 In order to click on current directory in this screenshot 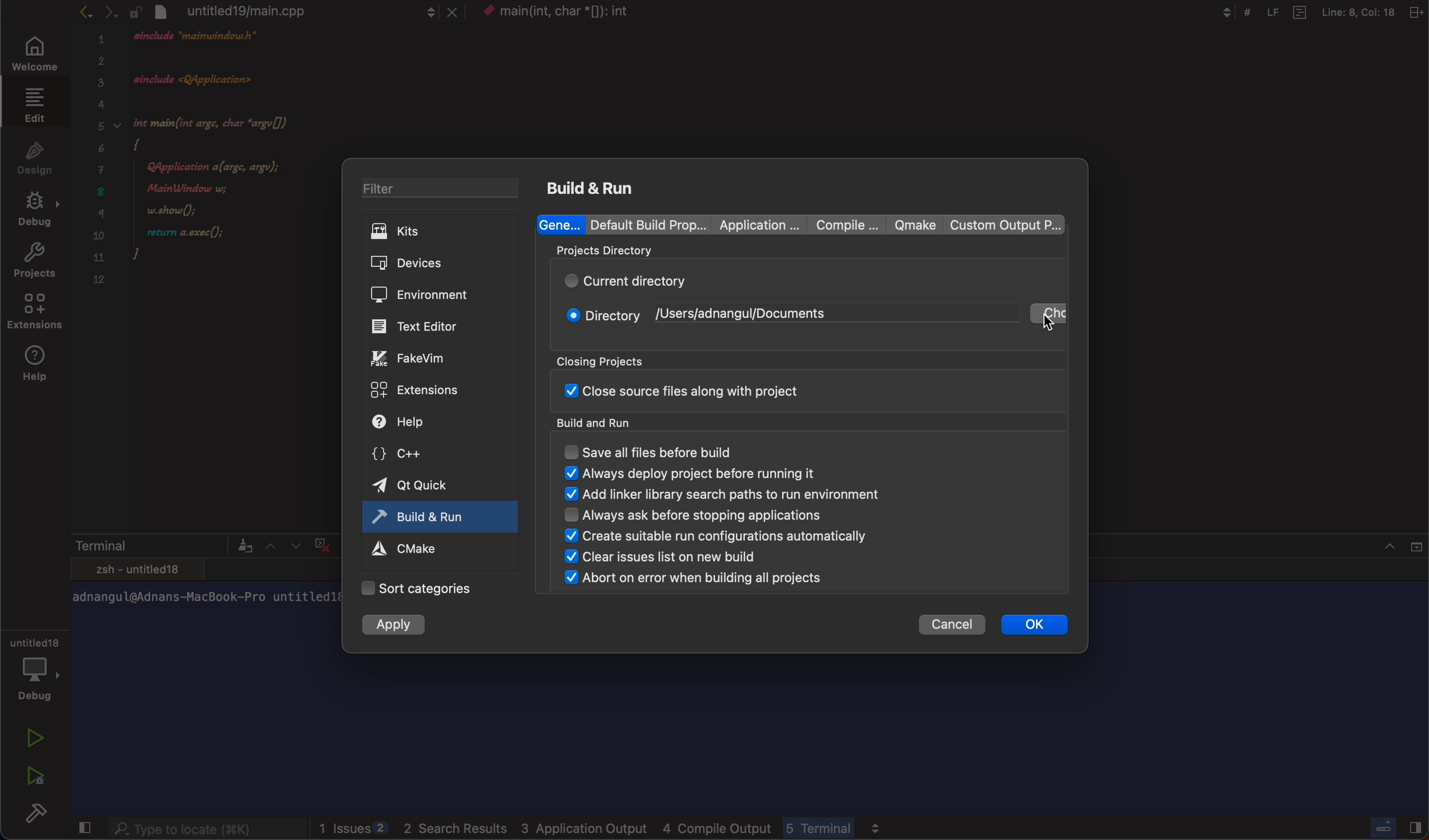, I will do `click(806, 280)`.